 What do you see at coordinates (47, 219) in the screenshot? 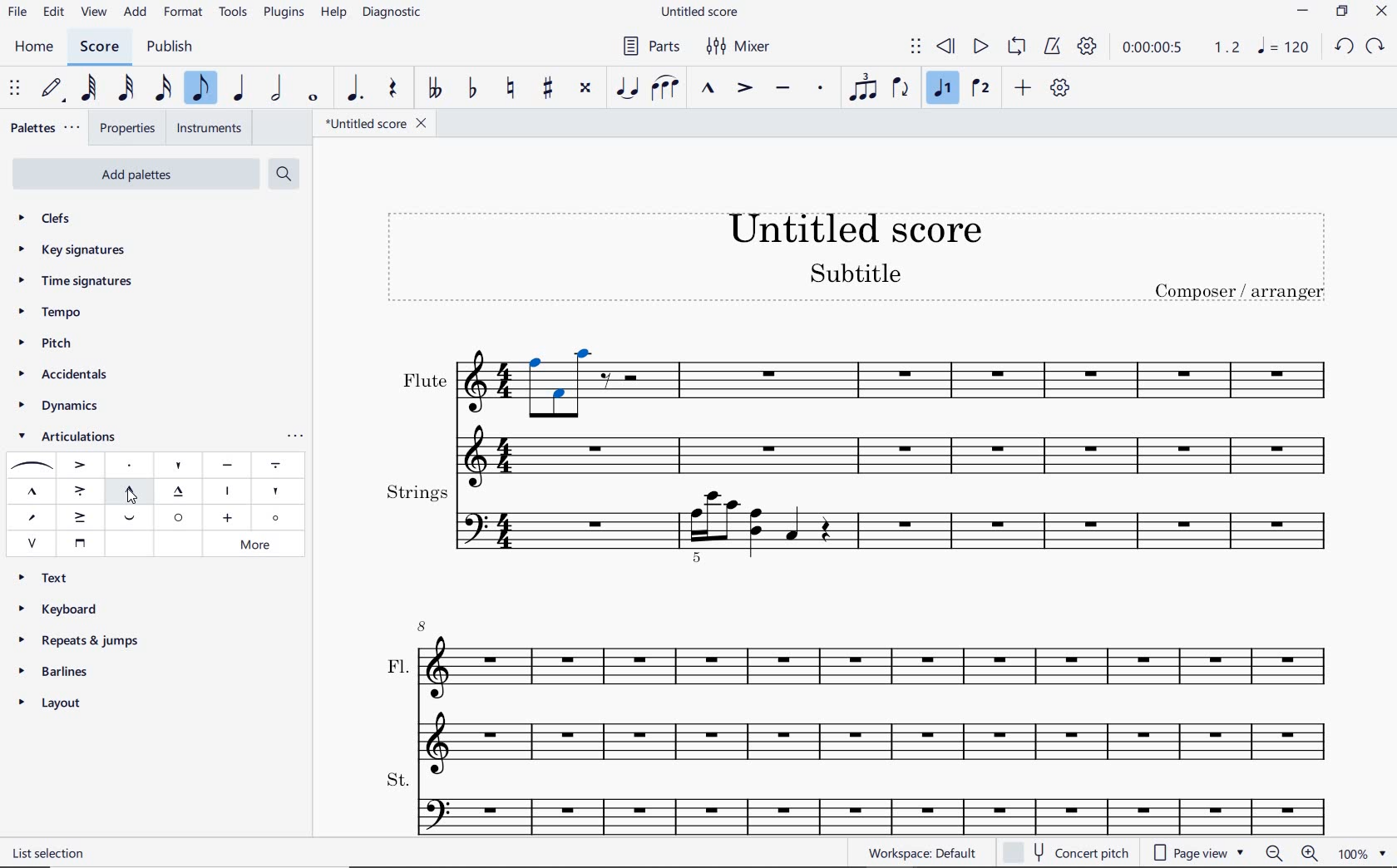
I see `clefs` at bounding box center [47, 219].